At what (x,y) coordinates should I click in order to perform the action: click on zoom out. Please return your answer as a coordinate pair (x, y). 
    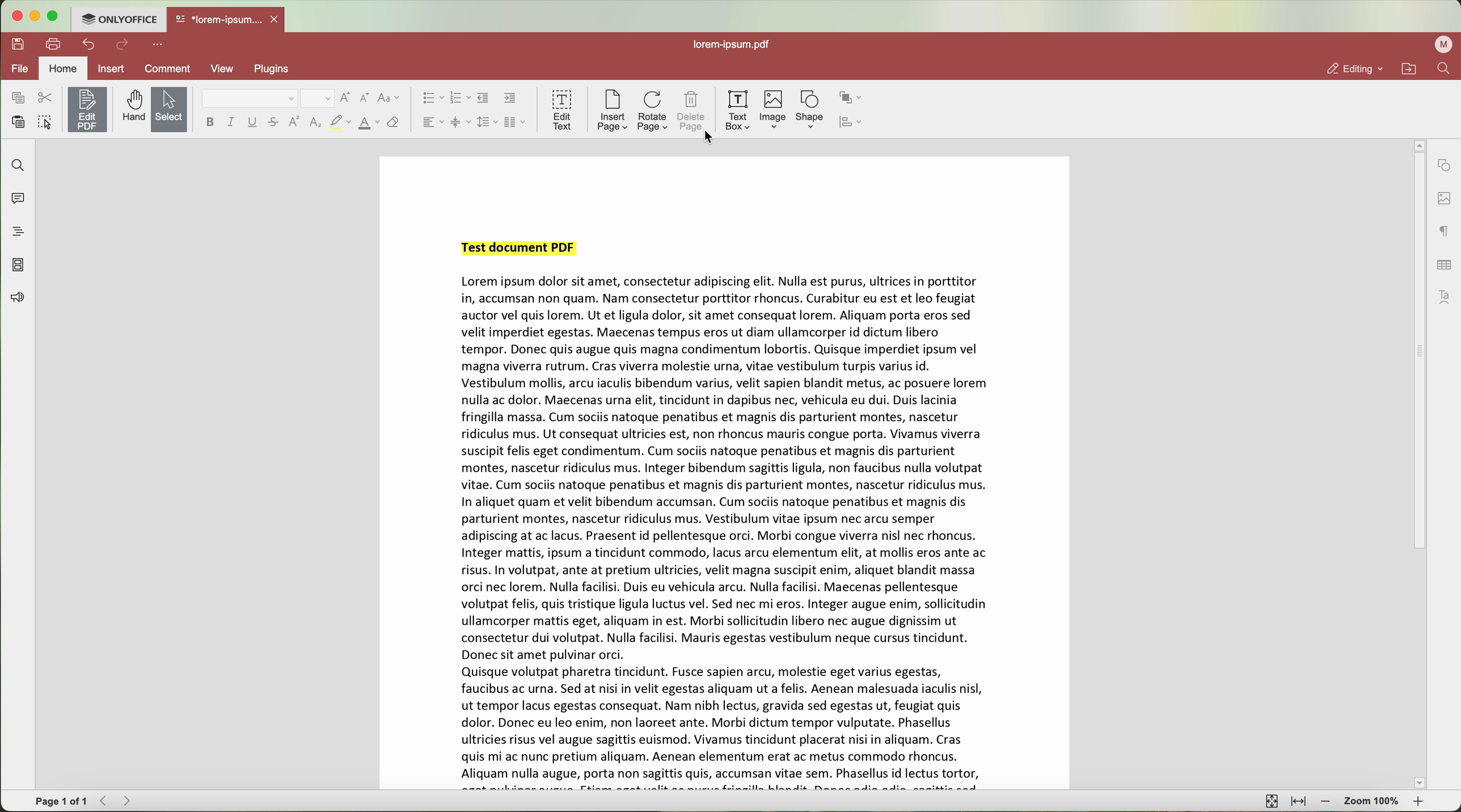
    Looking at the image, I should click on (1328, 803).